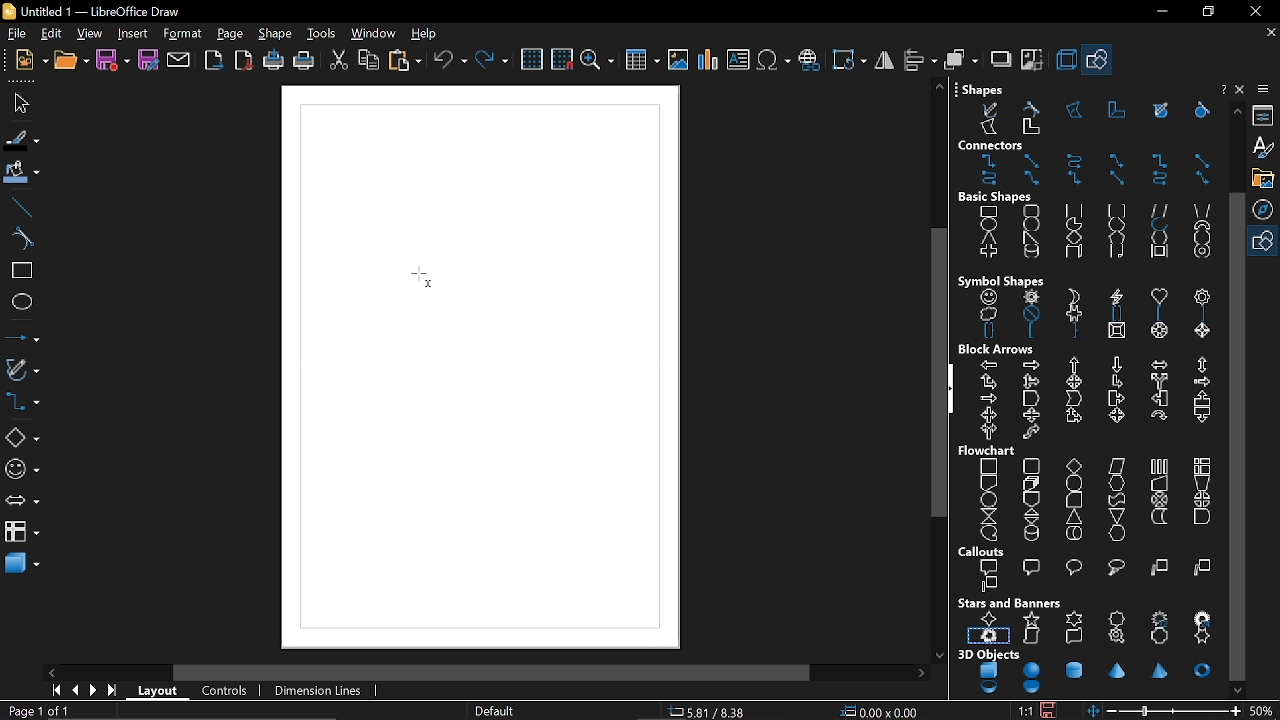 This screenshot has width=1280, height=720. I want to click on previous page, so click(75, 691).